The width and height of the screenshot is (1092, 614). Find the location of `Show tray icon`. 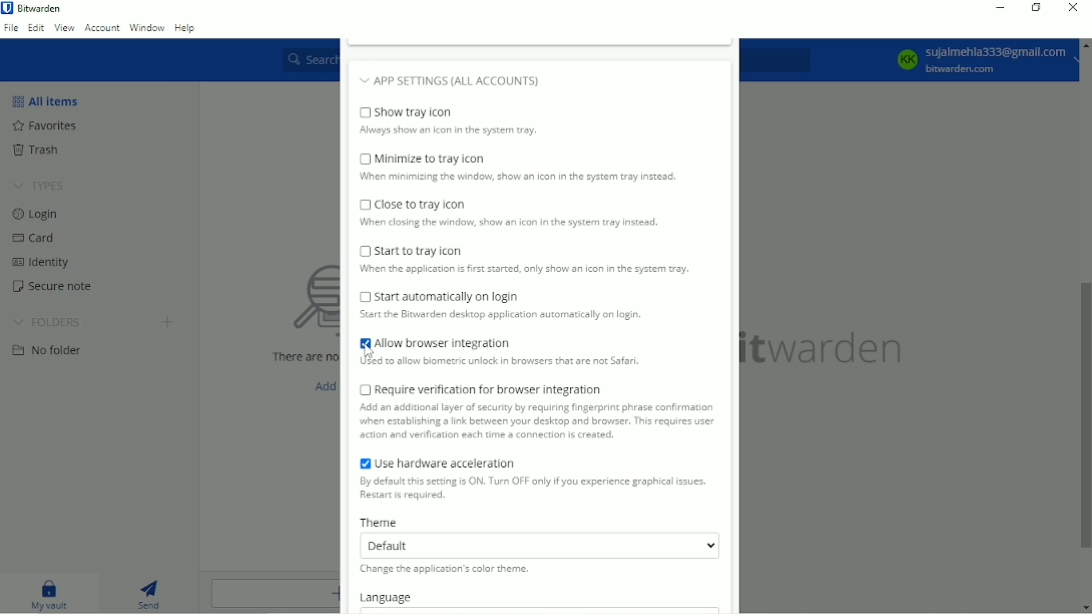

Show tray icon is located at coordinates (451, 112).